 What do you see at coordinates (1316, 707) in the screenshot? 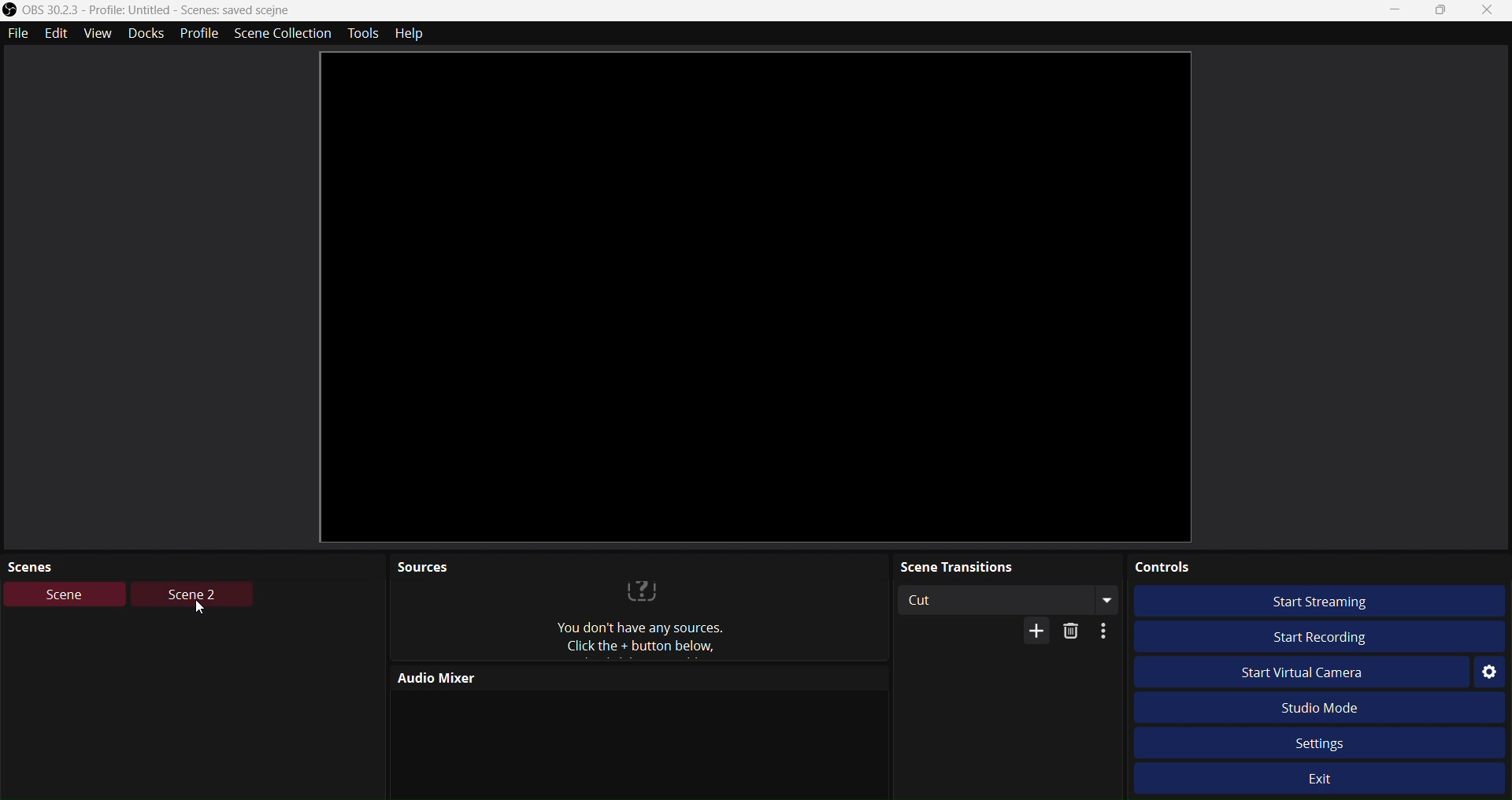
I see `Studio Mode` at bounding box center [1316, 707].